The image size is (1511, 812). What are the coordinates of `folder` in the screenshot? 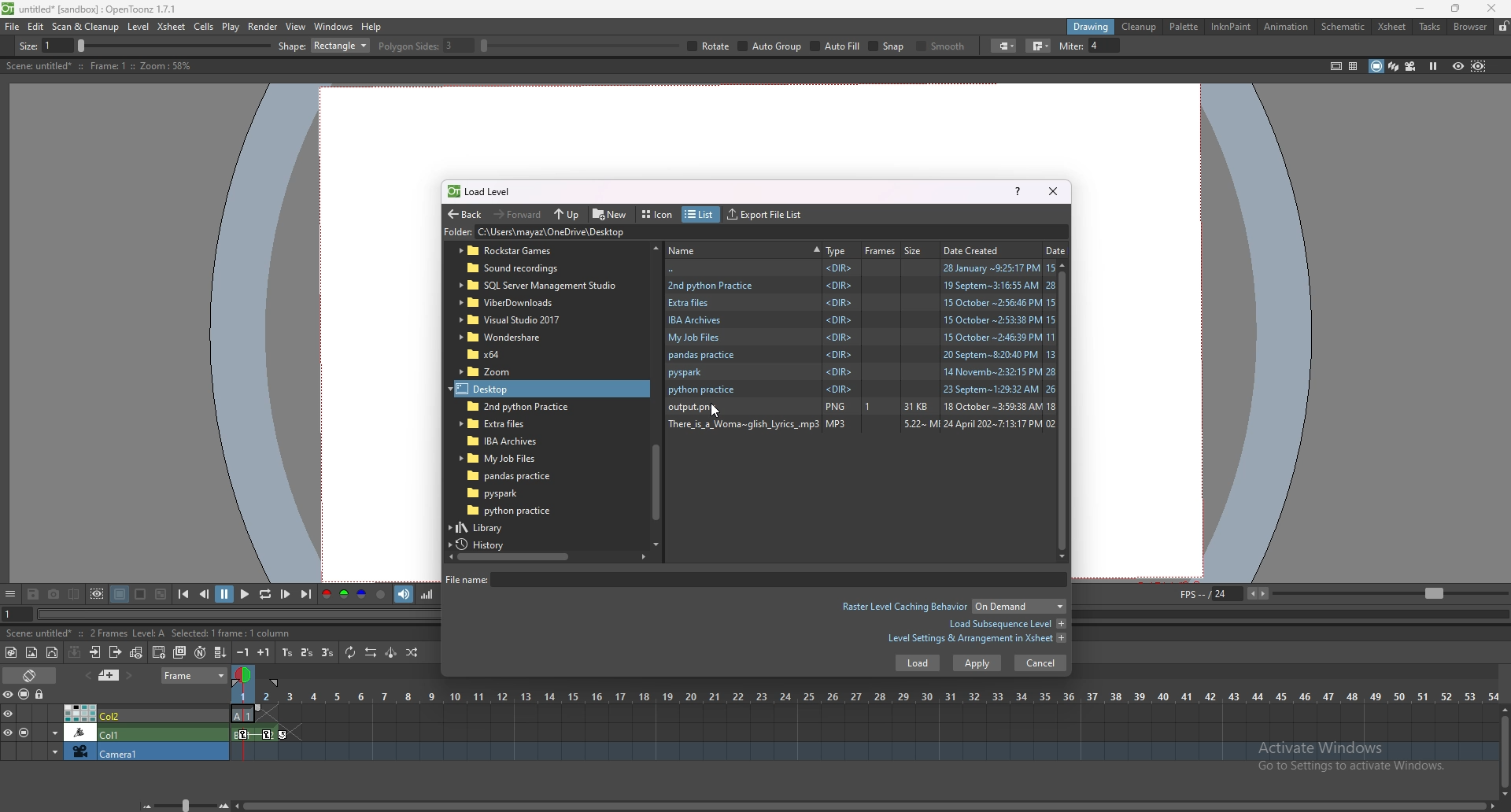 It's located at (861, 302).